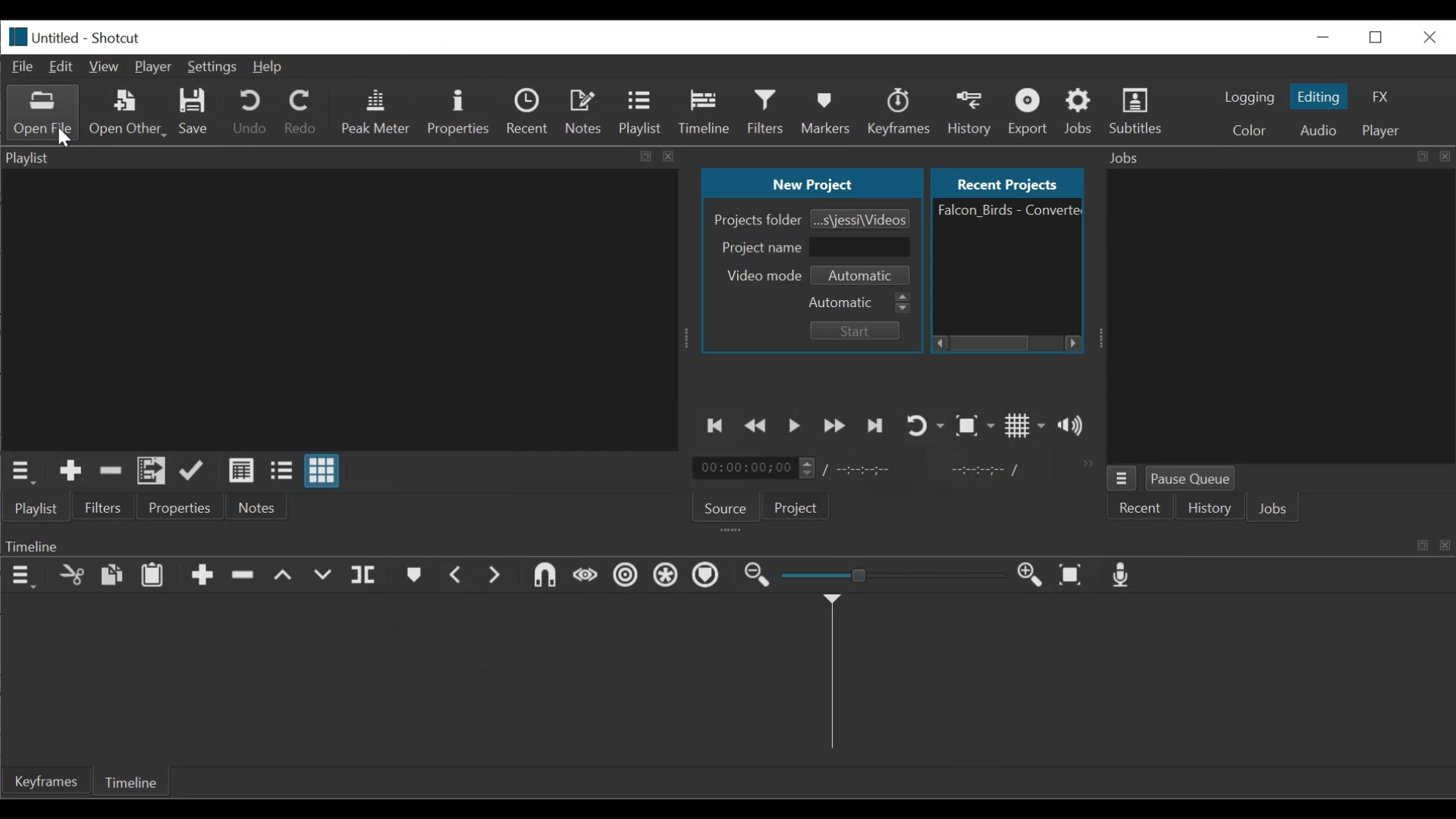 This screenshot has height=819, width=1456. Describe the element at coordinates (153, 67) in the screenshot. I see `Player` at that location.